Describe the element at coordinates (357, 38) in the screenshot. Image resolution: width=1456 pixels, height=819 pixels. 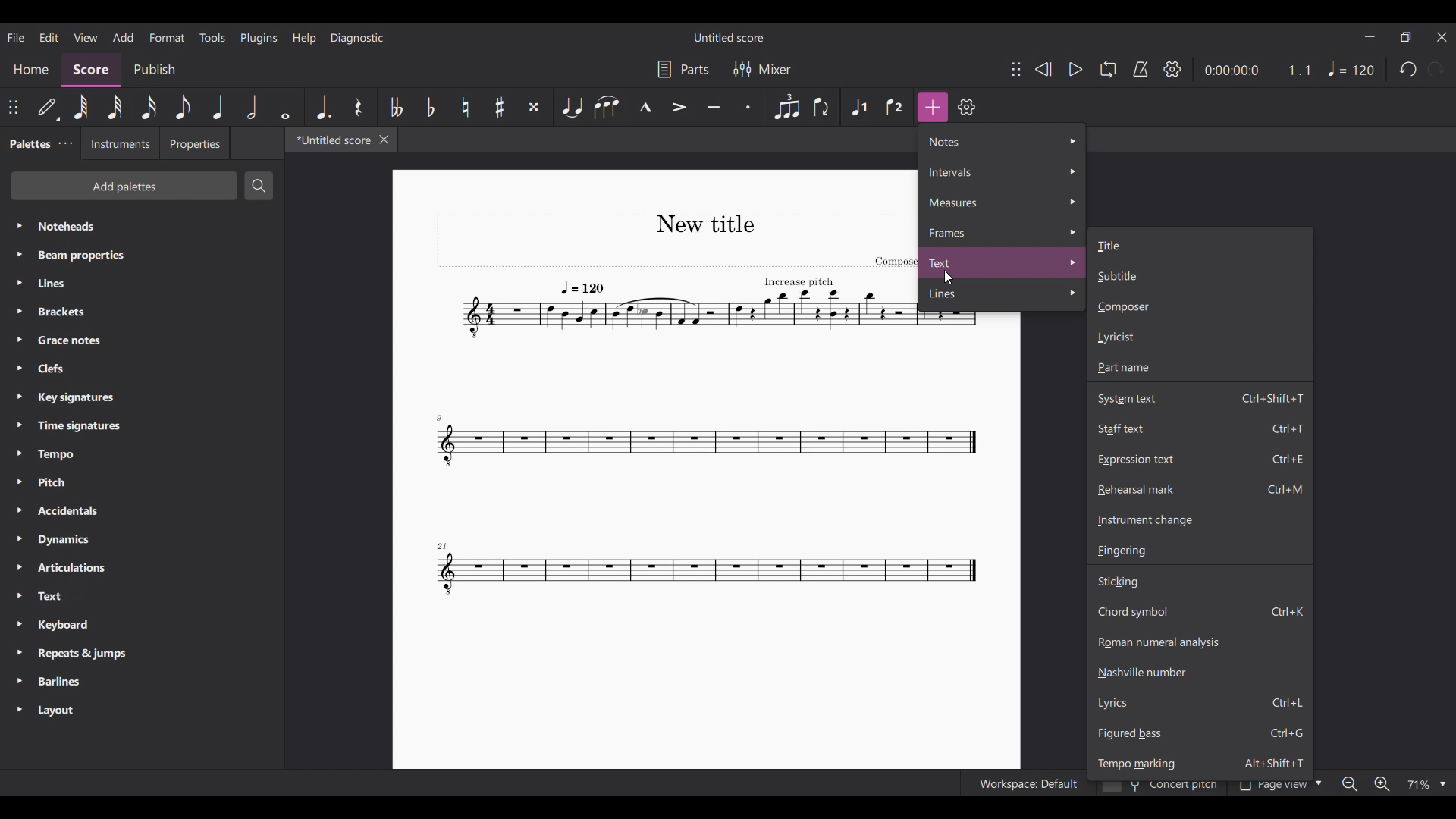
I see `Diagnostic menu` at that location.